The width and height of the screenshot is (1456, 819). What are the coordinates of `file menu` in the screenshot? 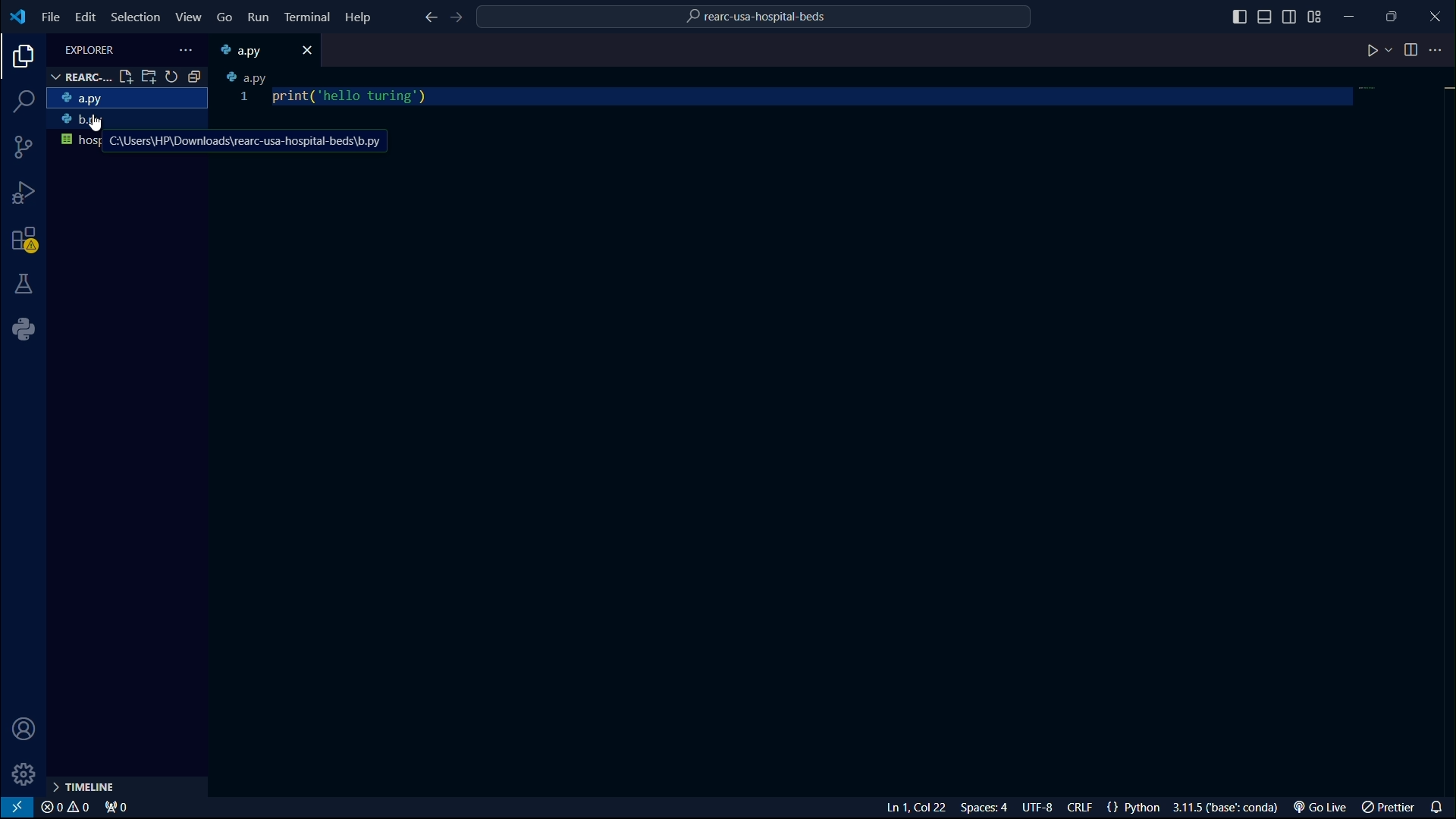 It's located at (49, 16).